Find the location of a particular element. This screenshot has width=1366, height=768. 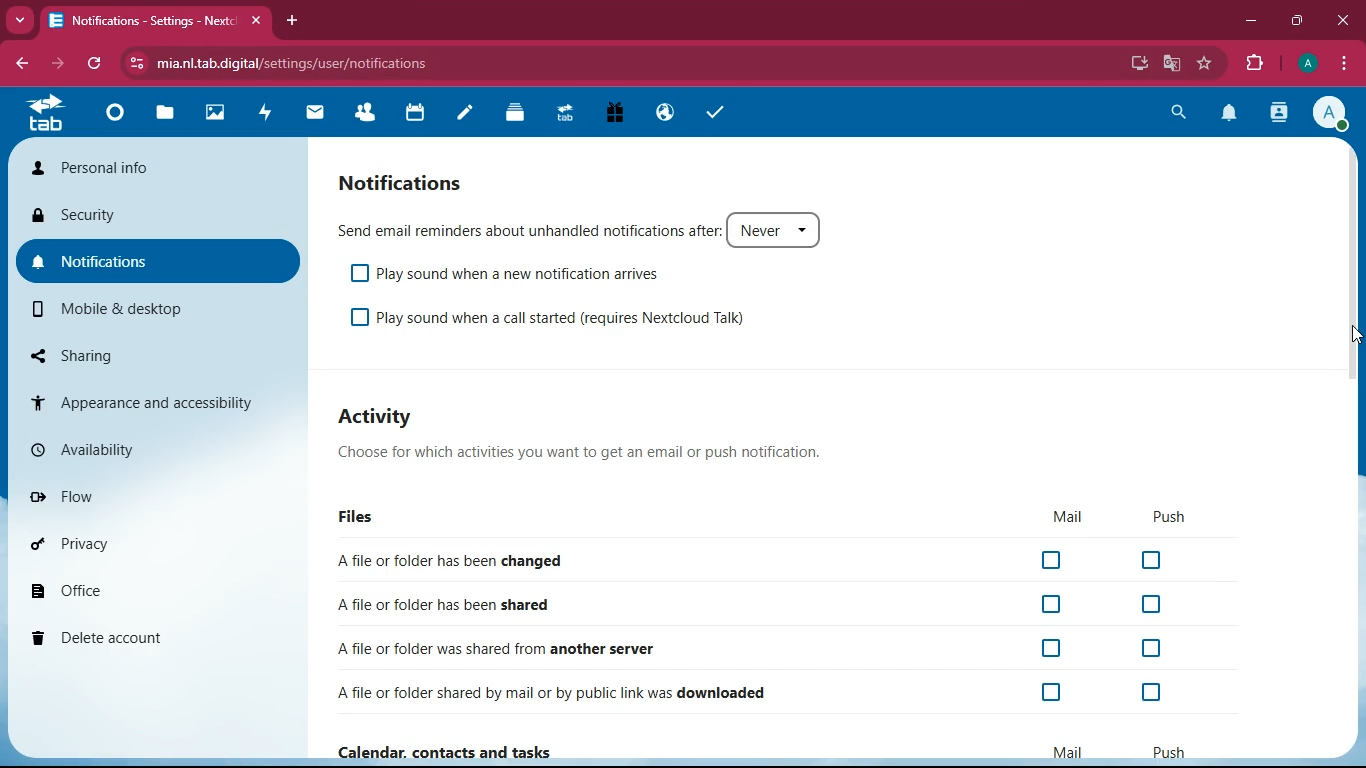

minimize is located at coordinates (1251, 22).